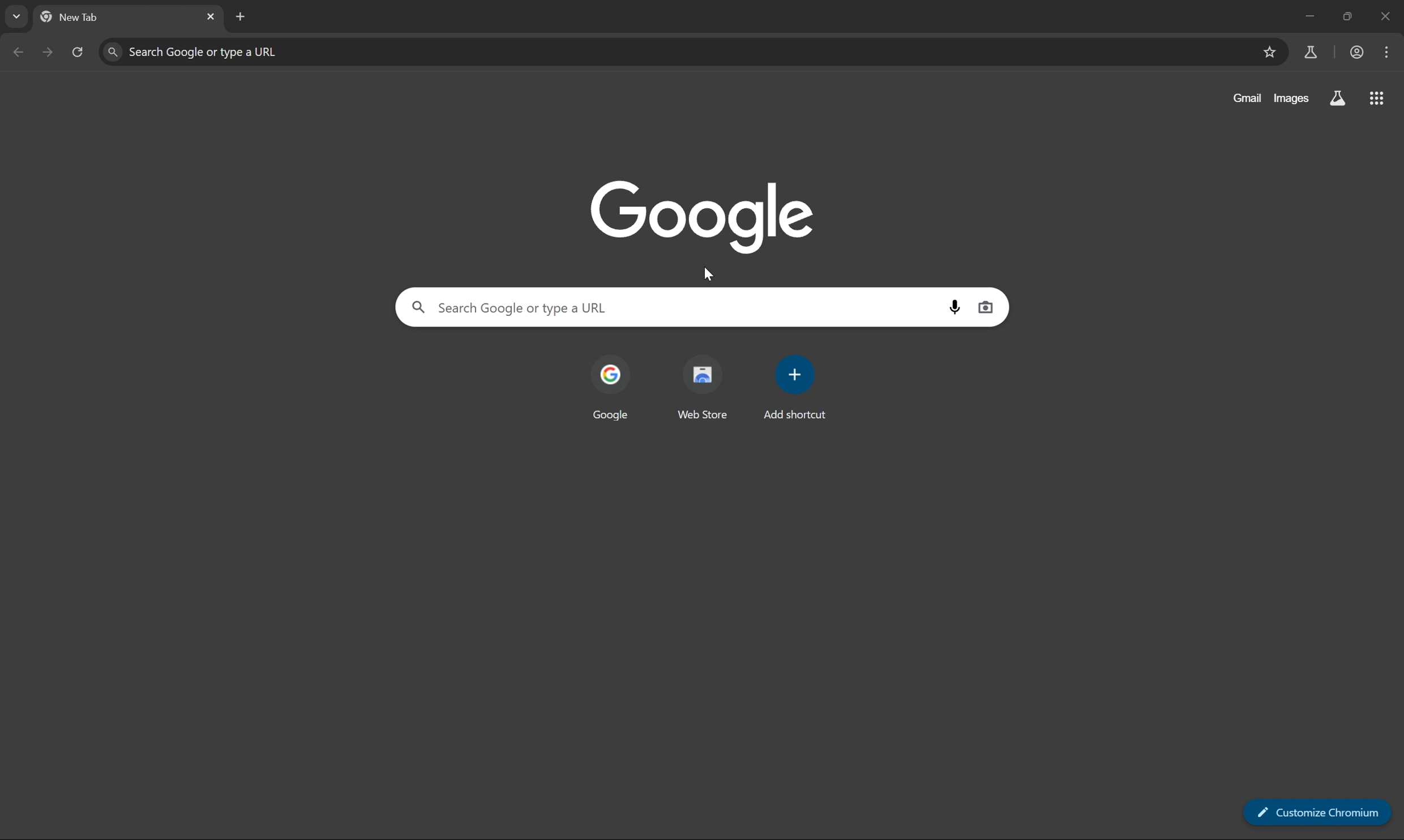 The image size is (1404, 840). What do you see at coordinates (986, 306) in the screenshot?
I see `search by image` at bounding box center [986, 306].